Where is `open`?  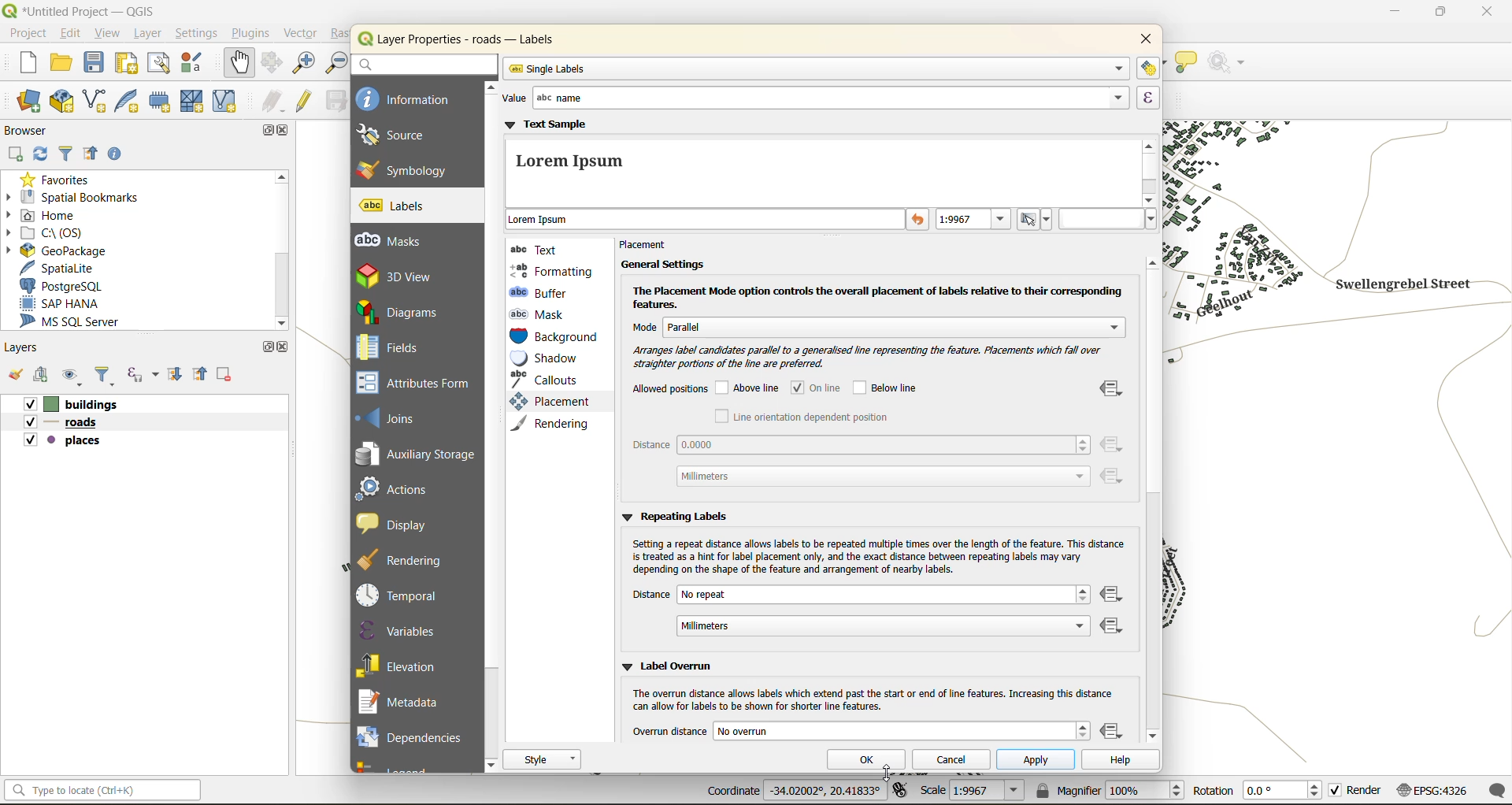 open is located at coordinates (64, 63).